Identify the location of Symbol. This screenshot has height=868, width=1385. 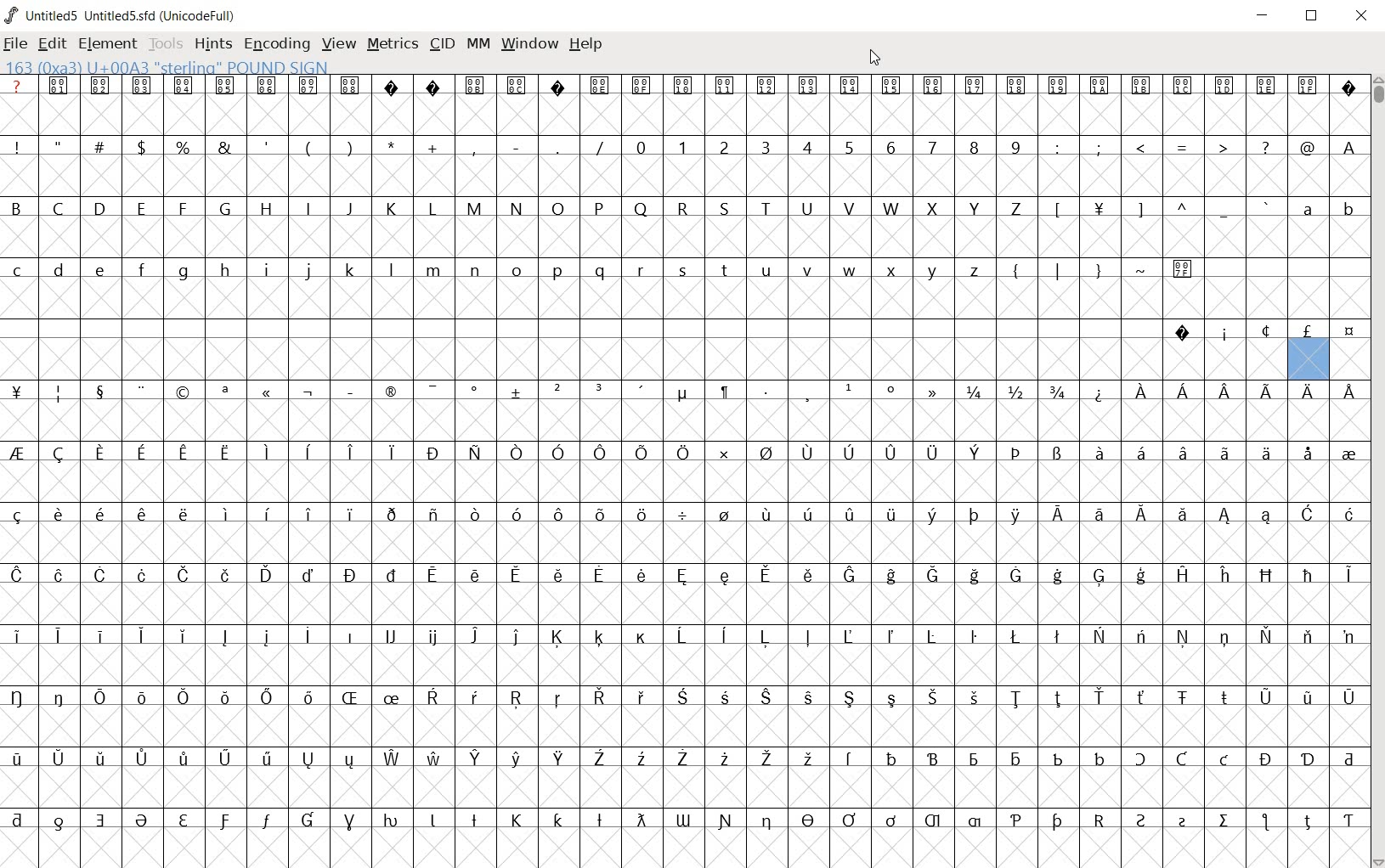
(1347, 635).